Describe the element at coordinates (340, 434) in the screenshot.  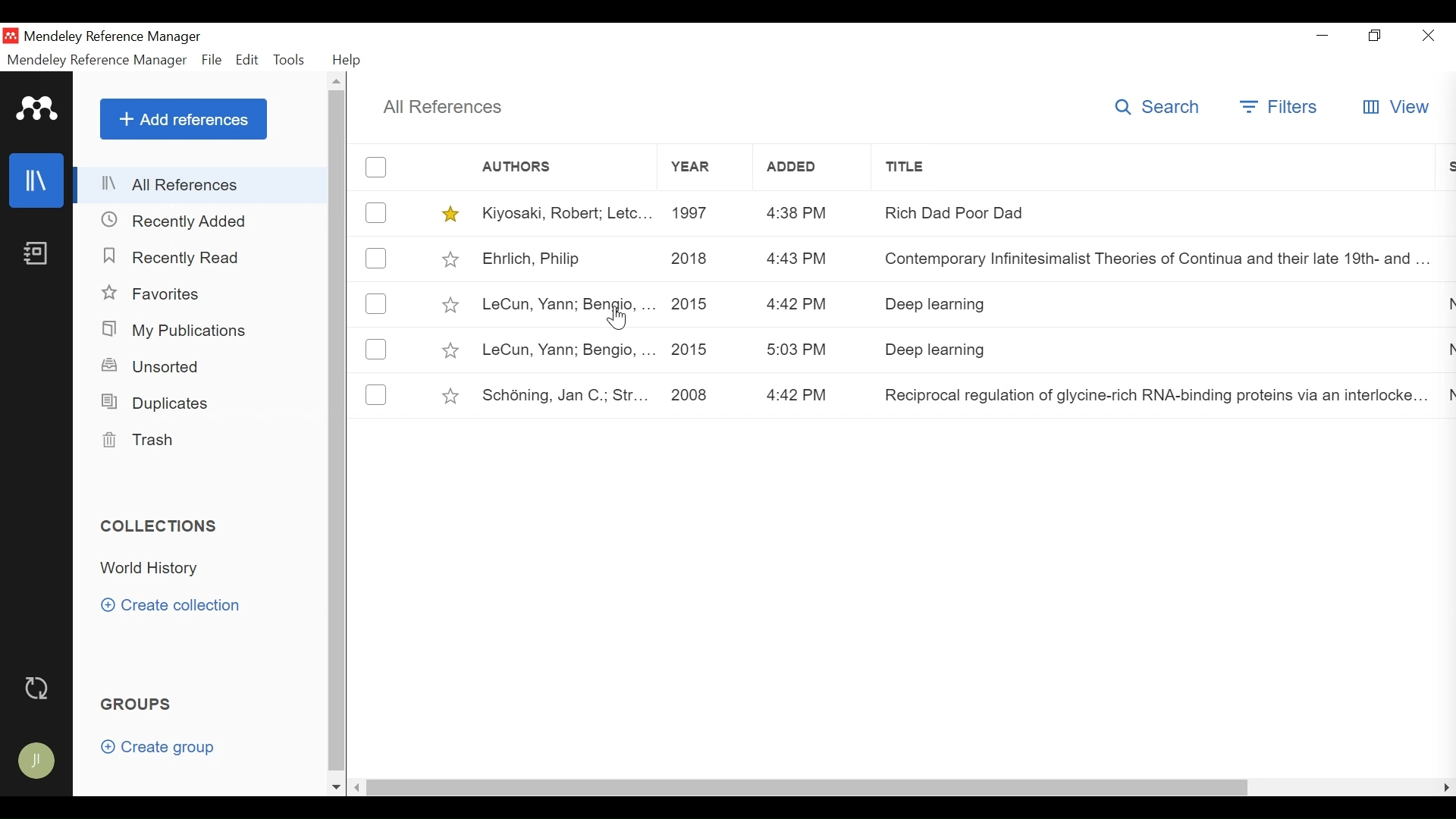
I see `Vertical Scroll bar` at that location.